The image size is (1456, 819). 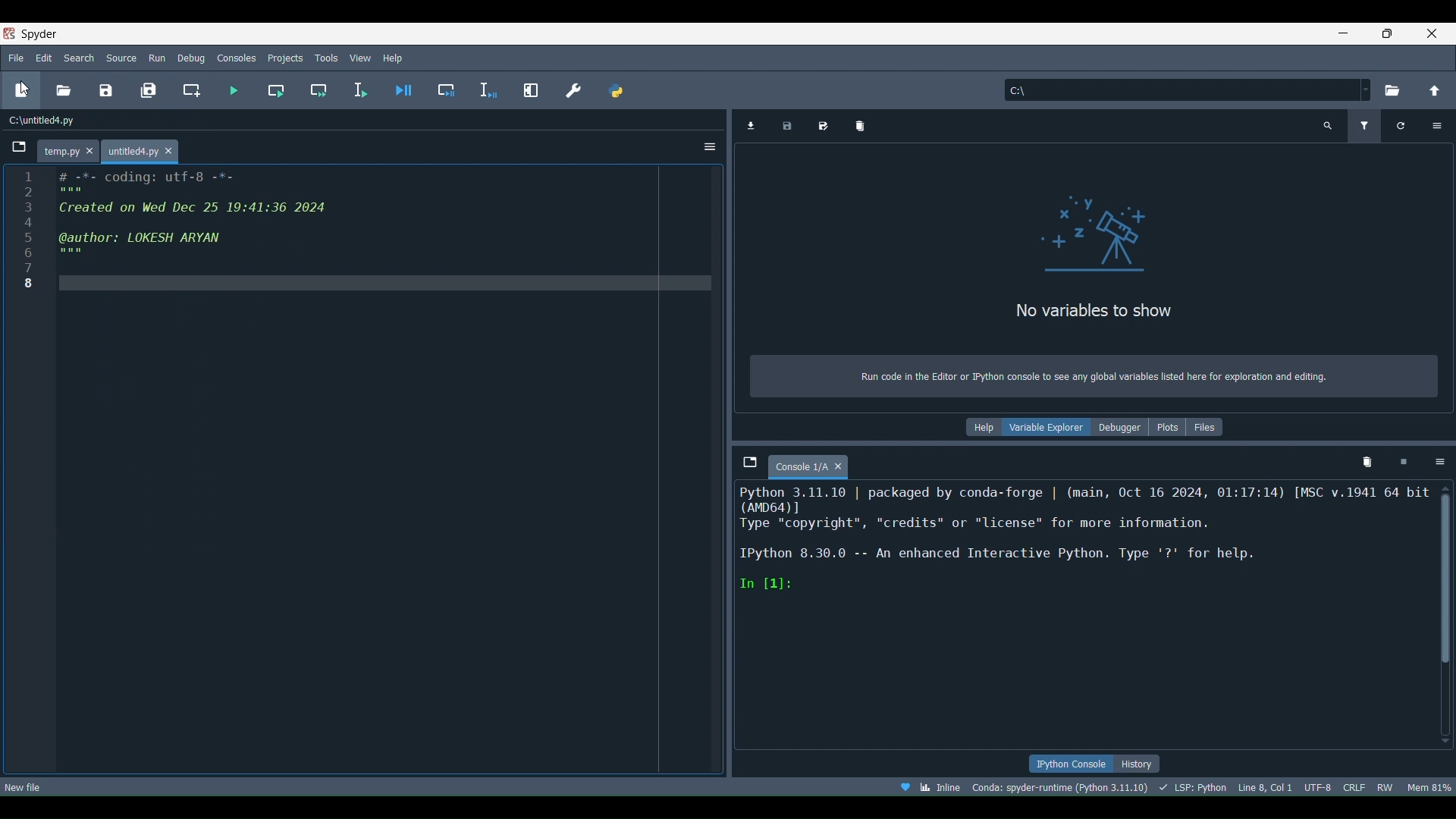 I want to click on Encoding, so click(x=1318, y=786).